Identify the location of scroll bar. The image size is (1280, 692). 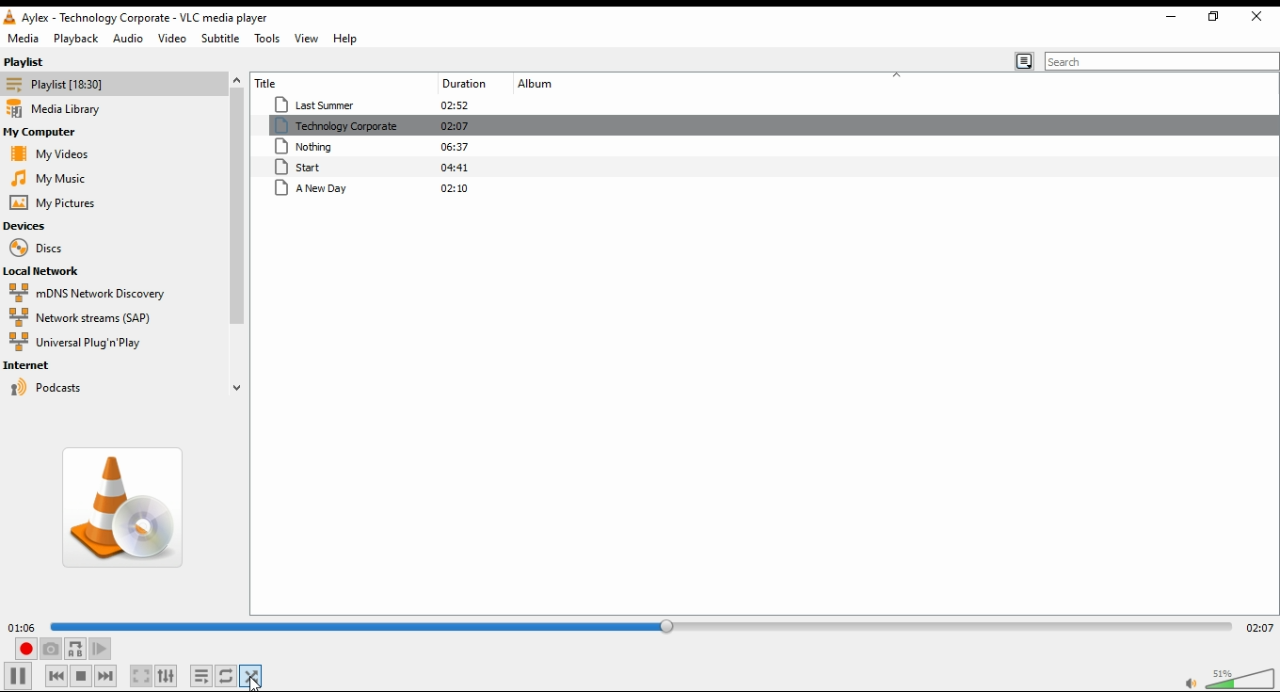
(236, 234).